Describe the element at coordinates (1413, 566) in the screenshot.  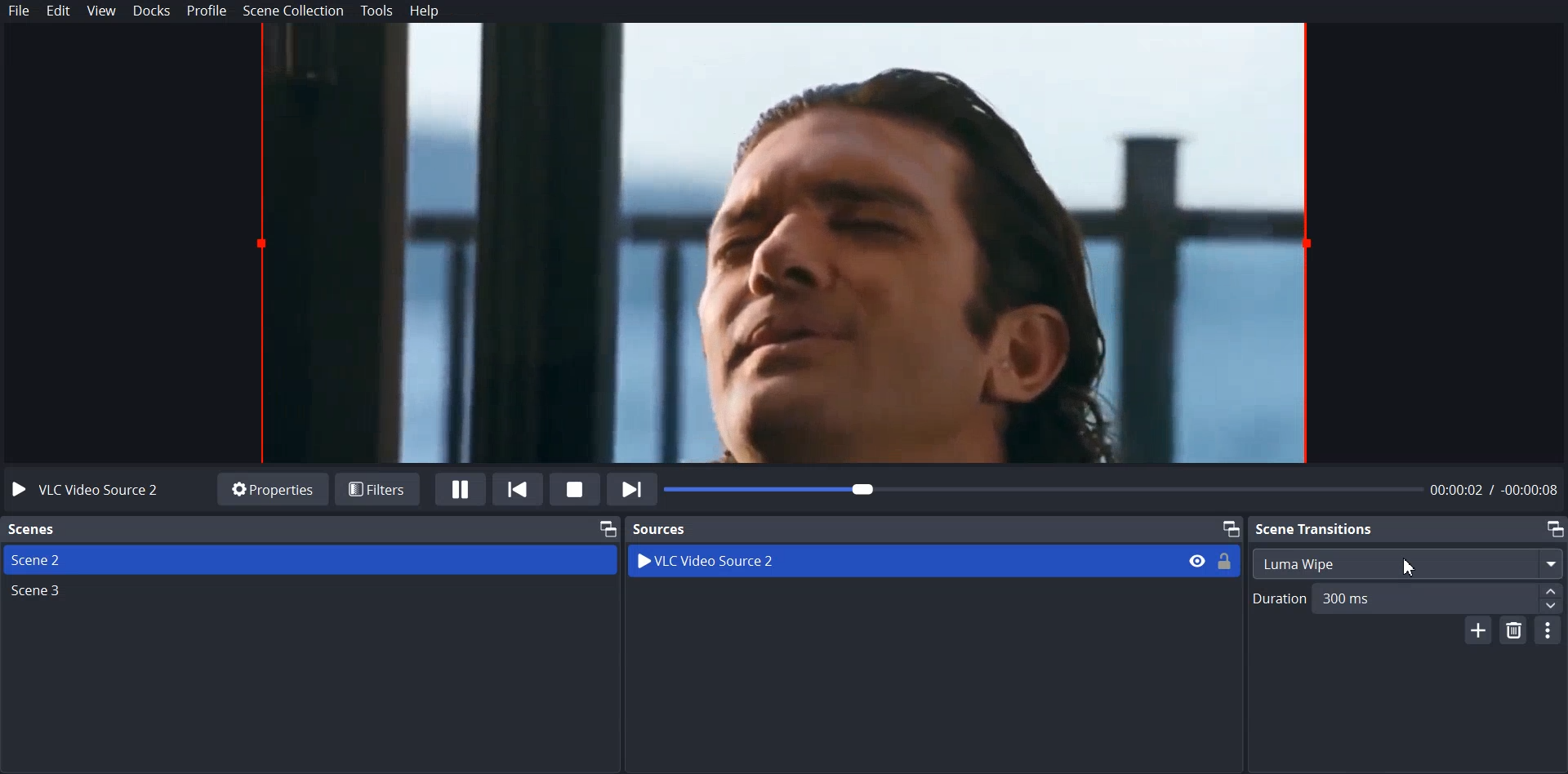
I see `Cursor` at that location.